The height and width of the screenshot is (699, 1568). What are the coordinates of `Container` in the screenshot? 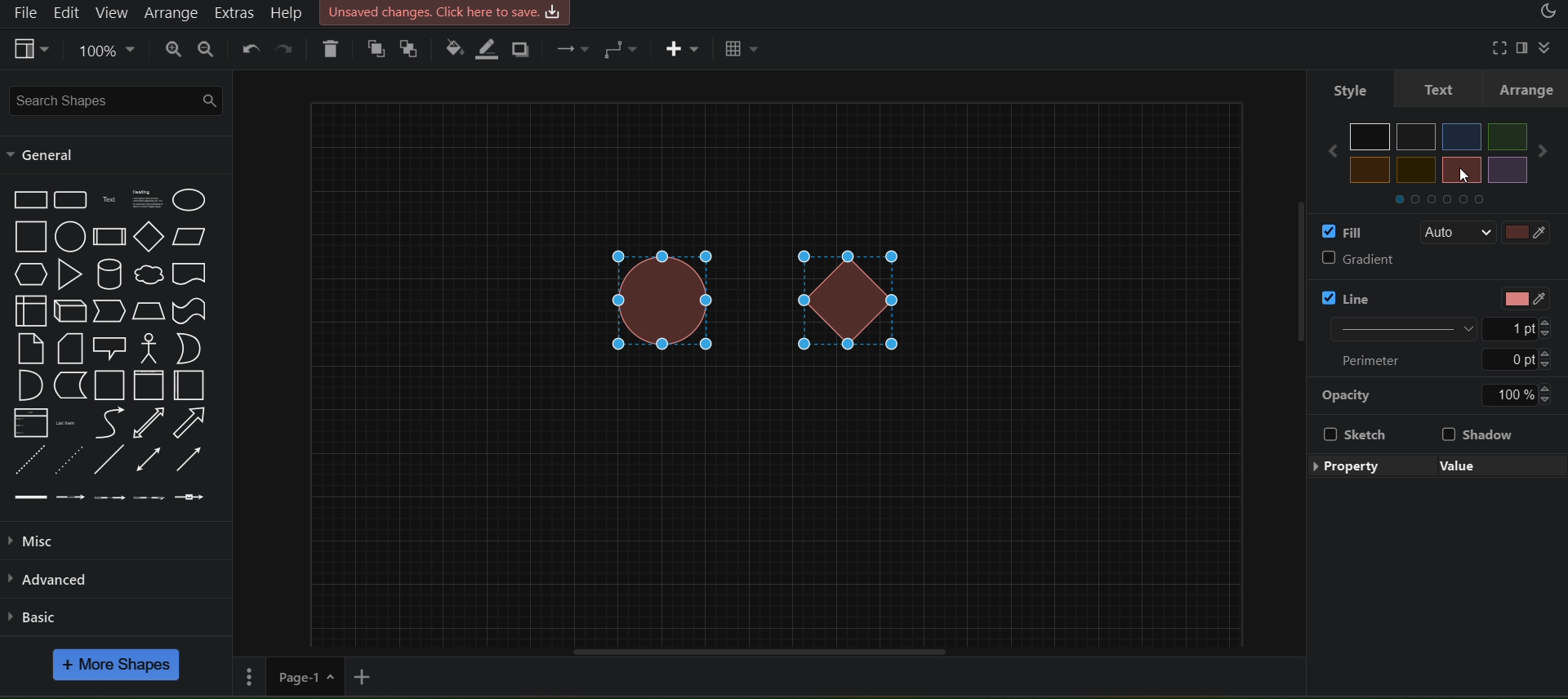 It's located at (109, 385).